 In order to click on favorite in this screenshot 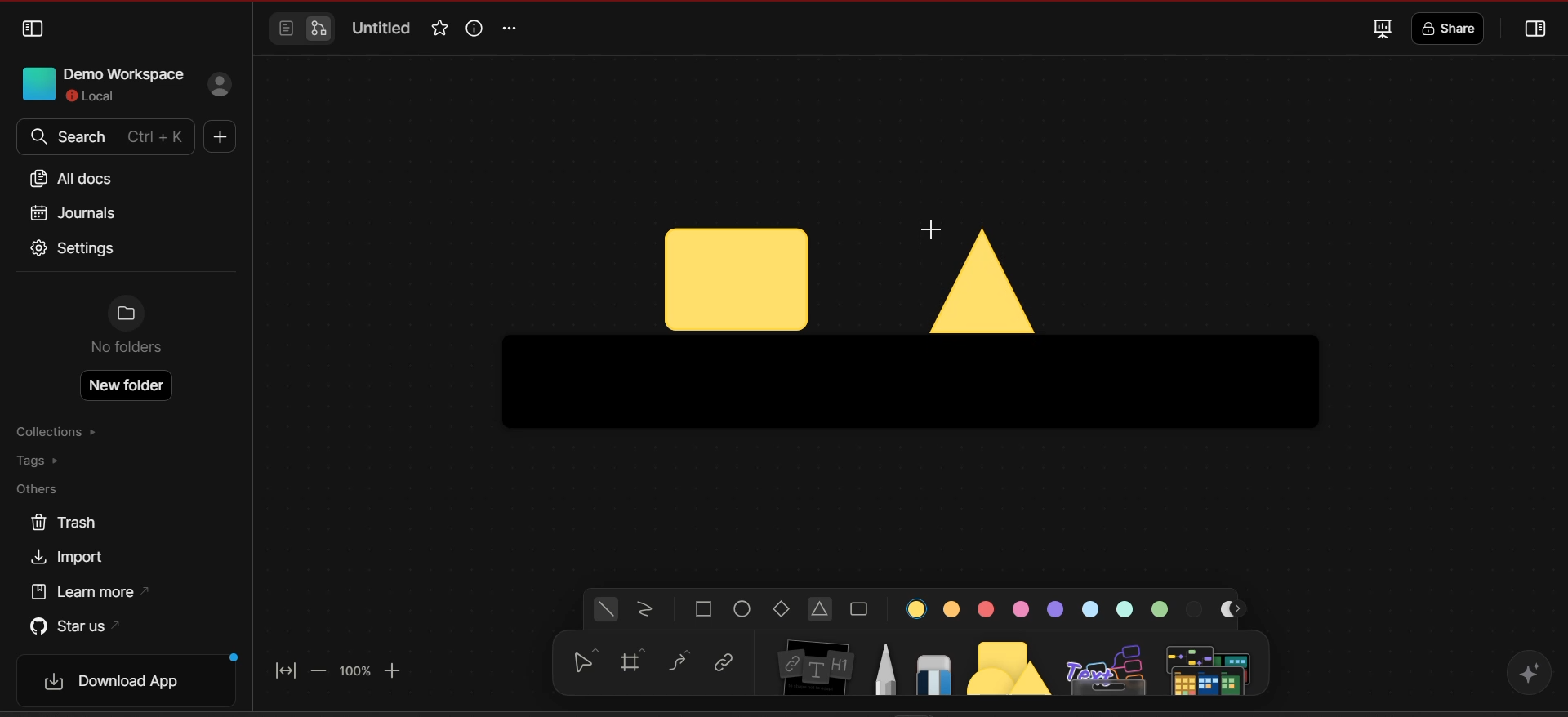, I will do `click(437, 29)`.